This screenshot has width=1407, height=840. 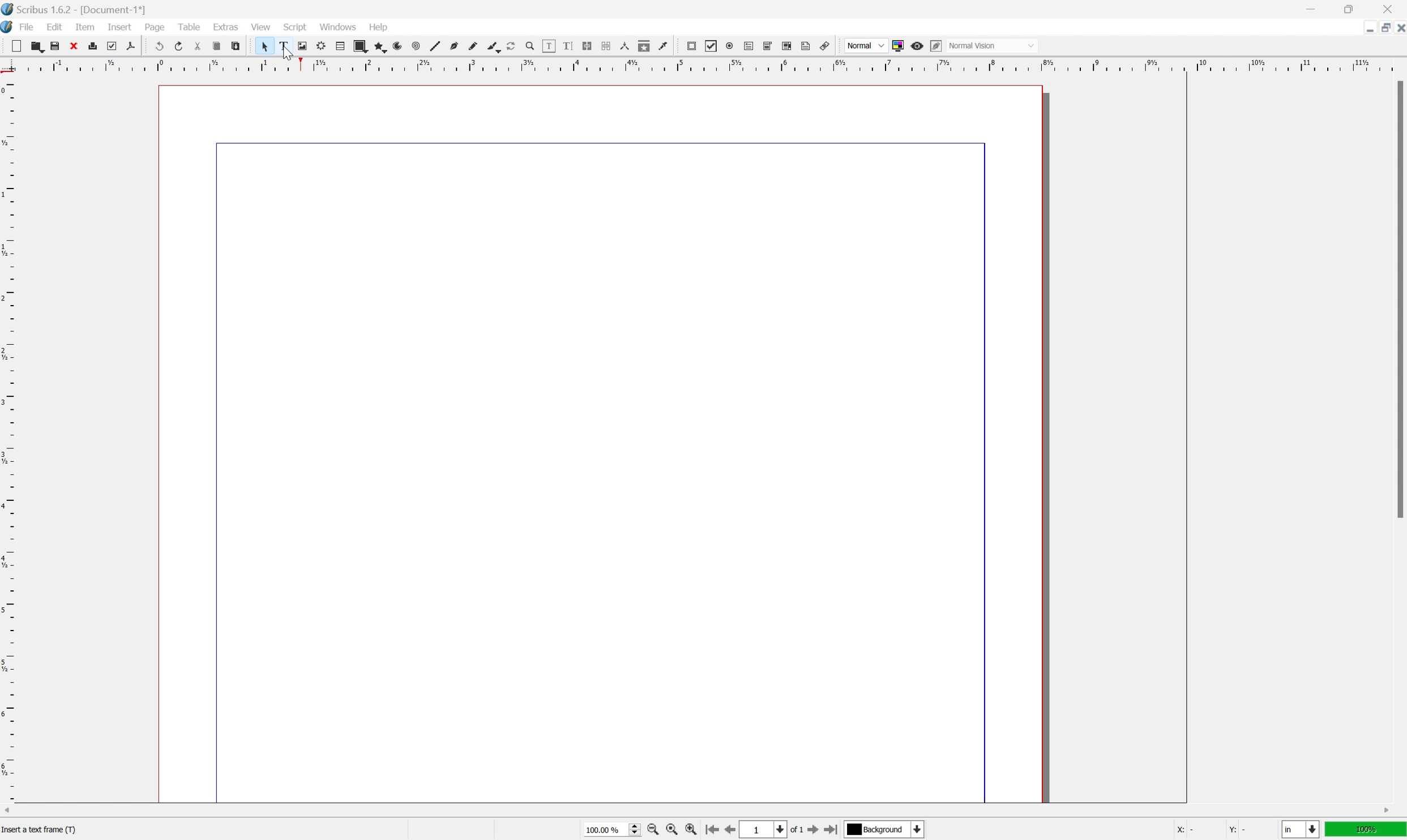 What do you see at coordinates (664, 46) in the screenshot?
I see `eye dropper` at bounding box center [664, 46].